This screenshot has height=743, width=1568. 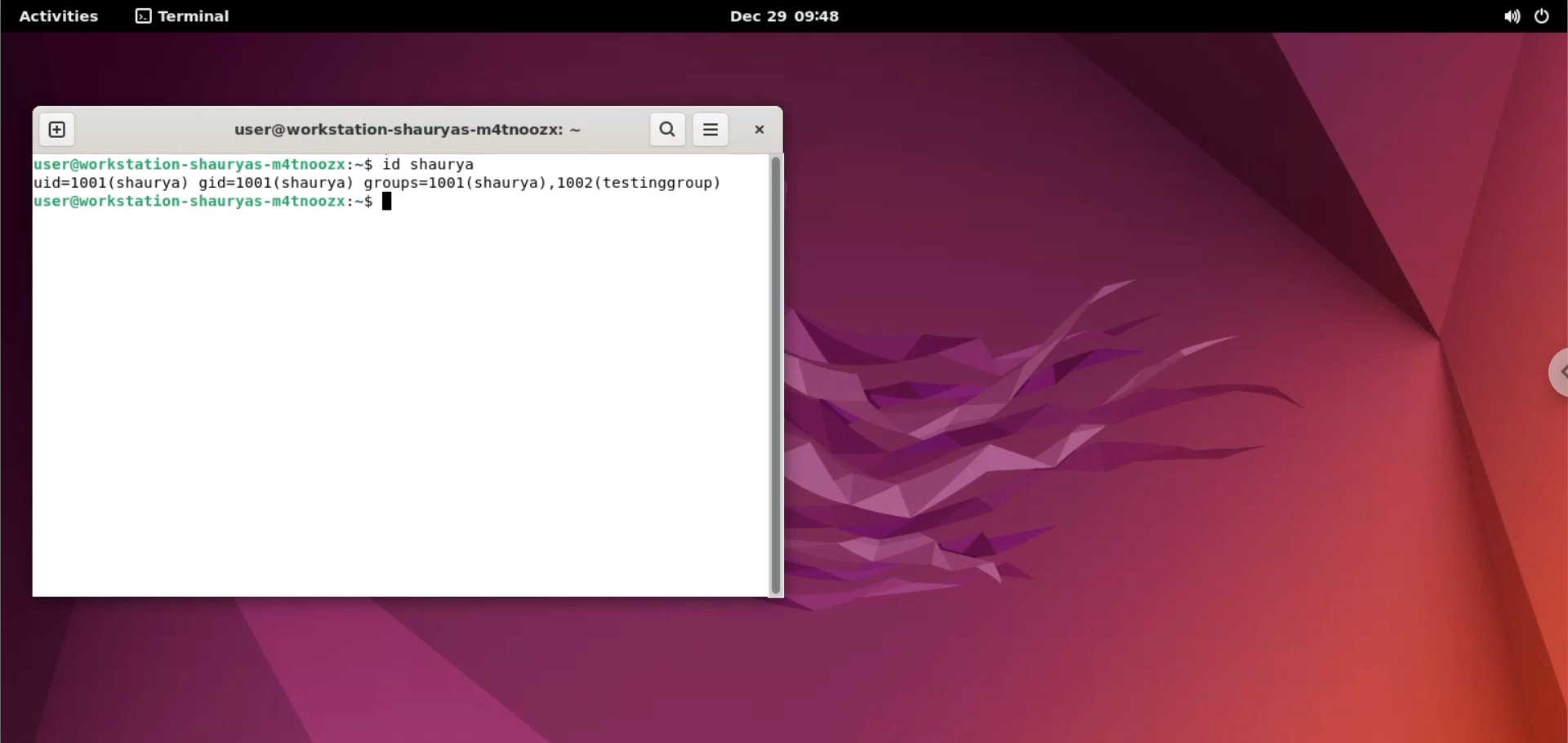 I want to click on user@workstation-shauryas-m4tnoozx:-, so click(x=405, y=130).